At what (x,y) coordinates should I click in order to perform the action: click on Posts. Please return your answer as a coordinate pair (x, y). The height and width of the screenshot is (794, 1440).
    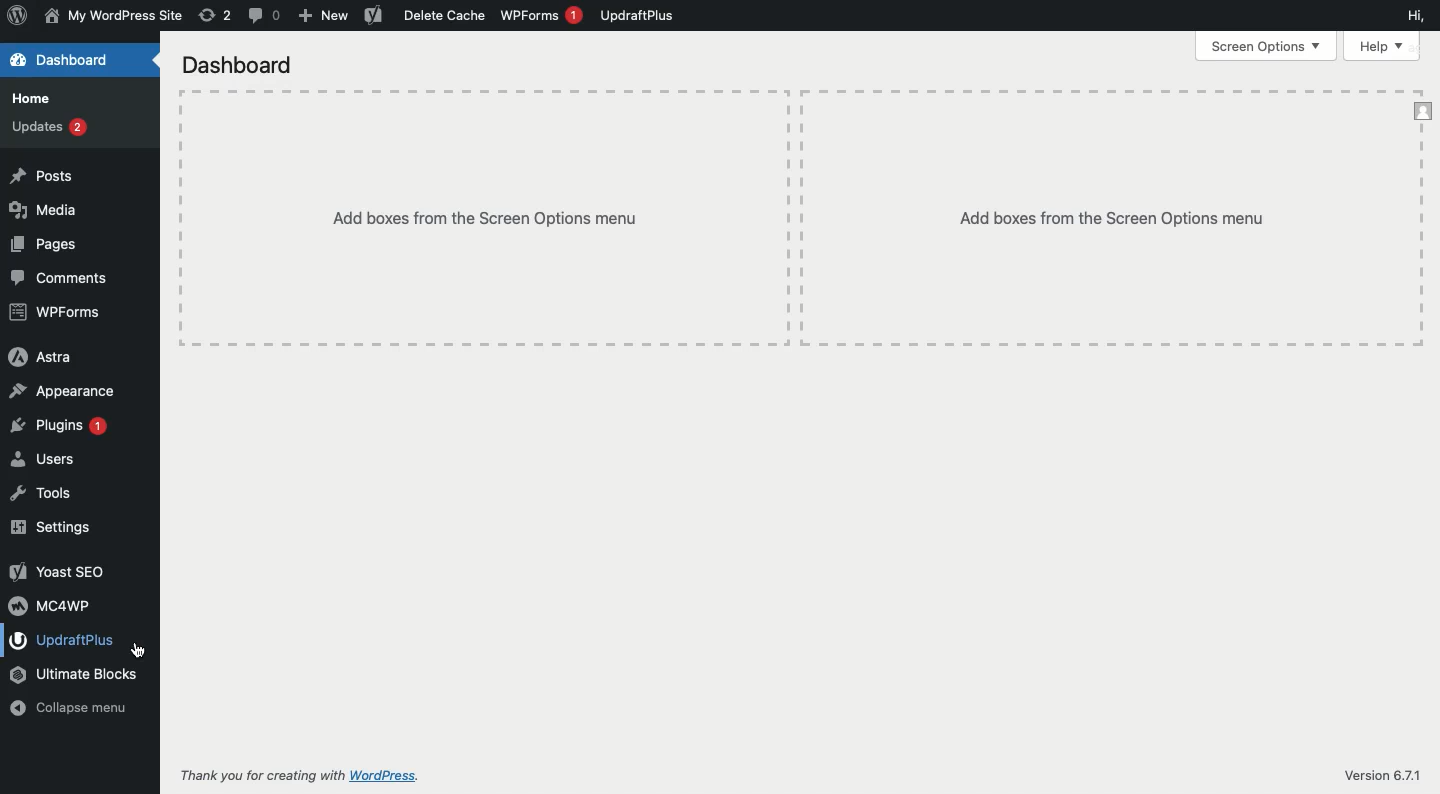
    Looking at the image, I should click on (39, 177).